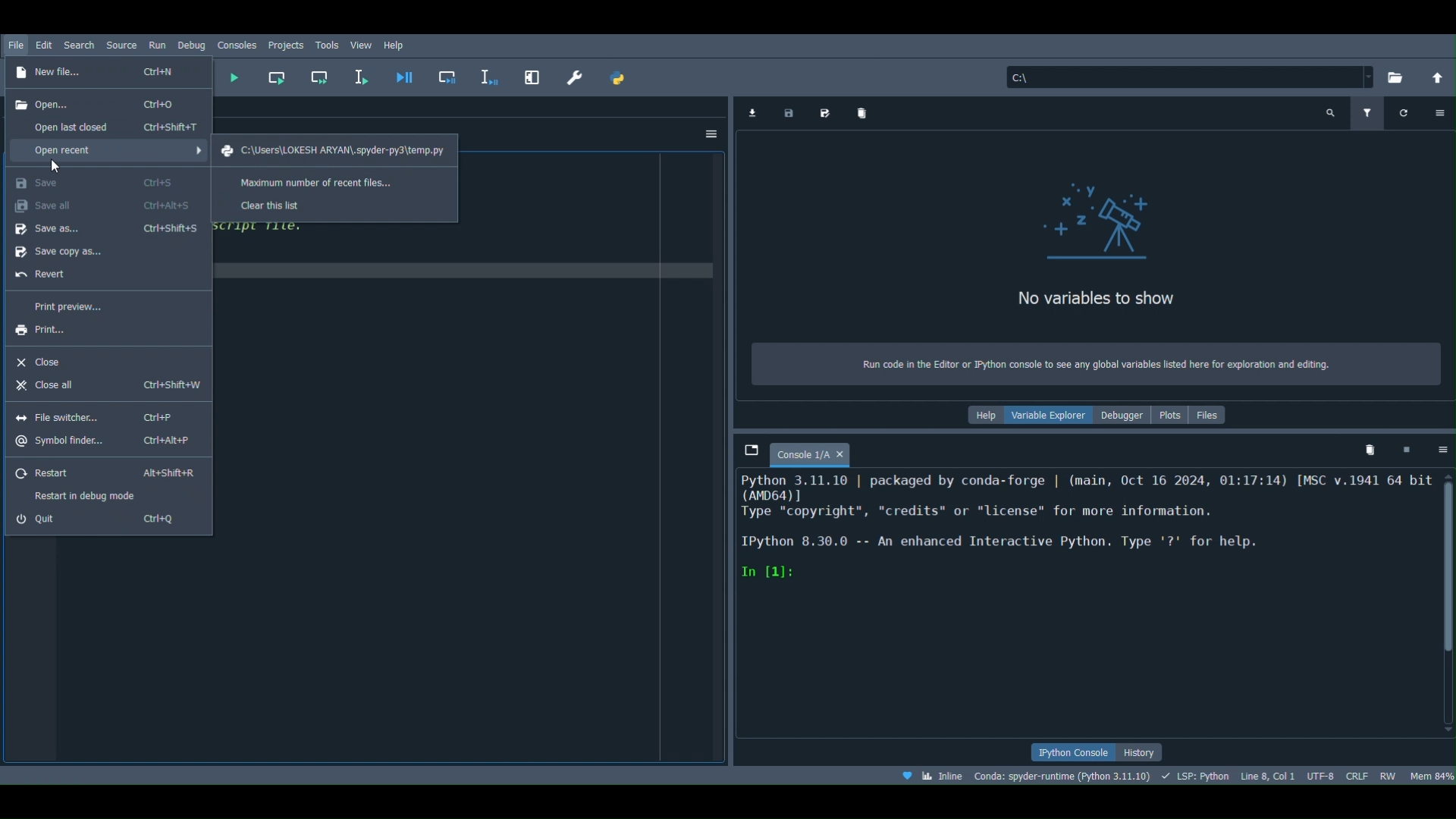  What do you see at coordinates (99, 522) in the screenshot?
I see `Quit` at bounding box center [99, 522].